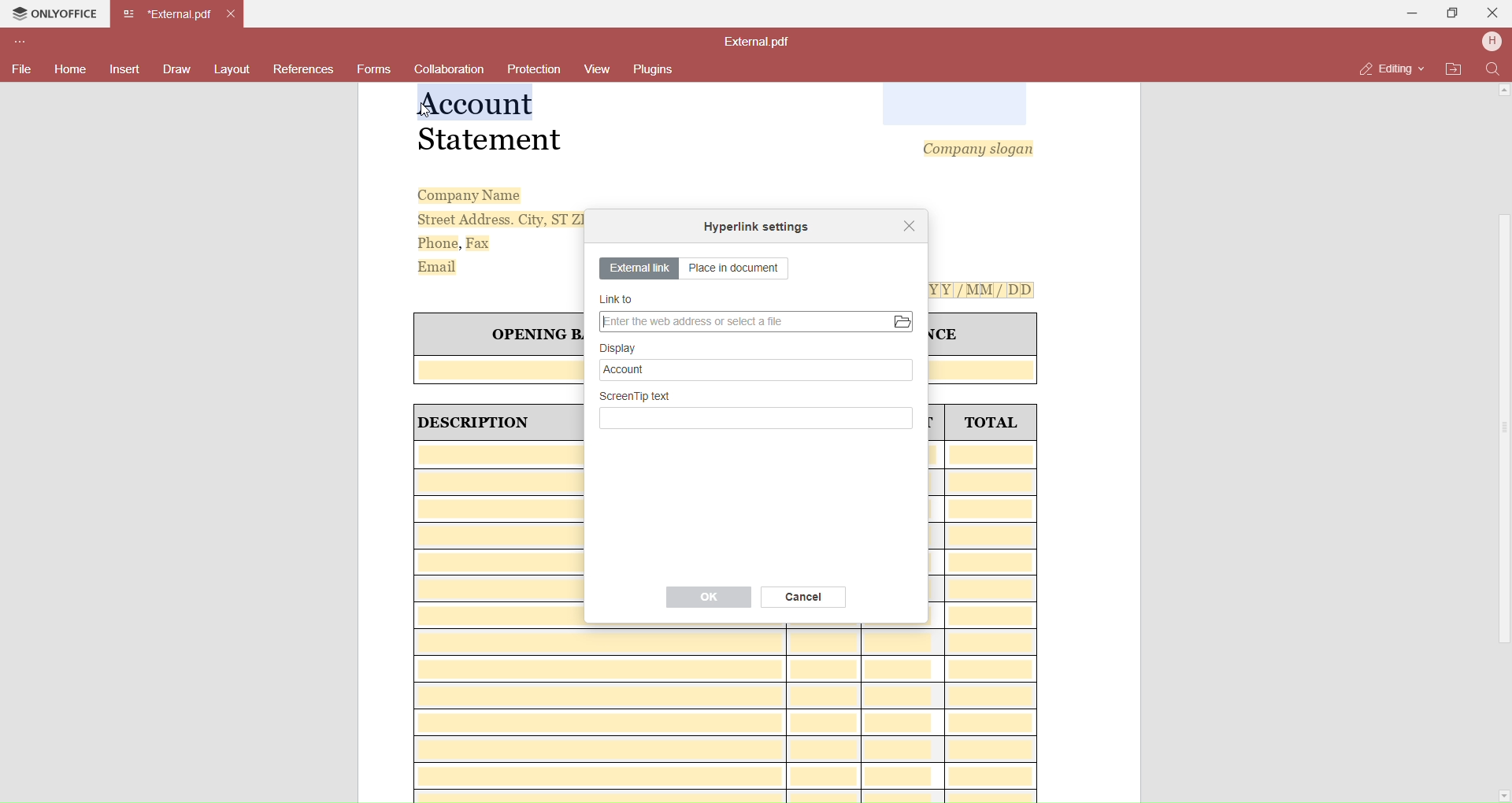 This screenshot has height=803, width=1512. I want to click on External link, so click(639, 268).